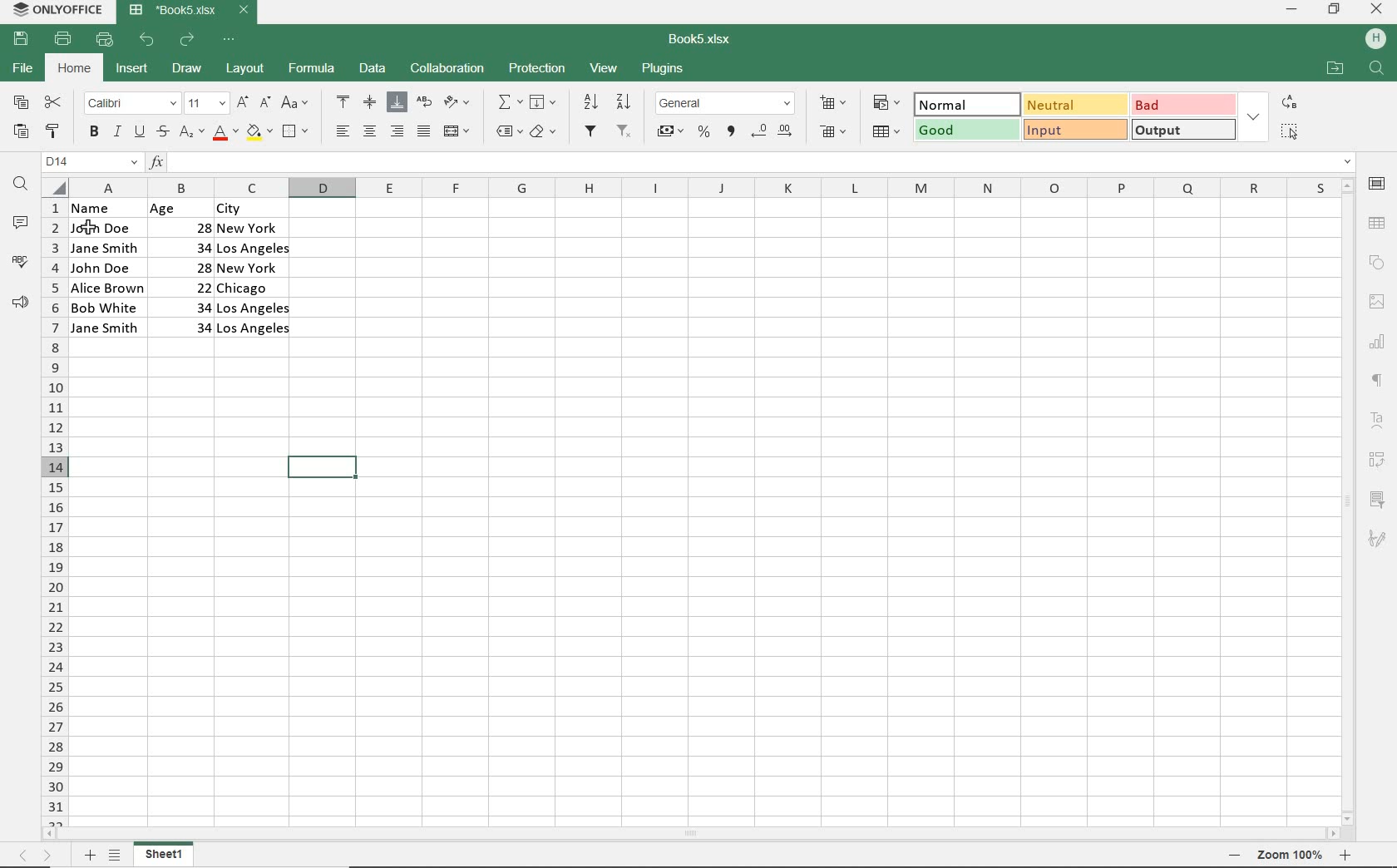 Image resolution: width=1397 pixels, height=868 pixels. What do you see at coordinates (397, 131) in the screenshot?
I see `ALIGN RIGHT` at bounding box center [397, 131].